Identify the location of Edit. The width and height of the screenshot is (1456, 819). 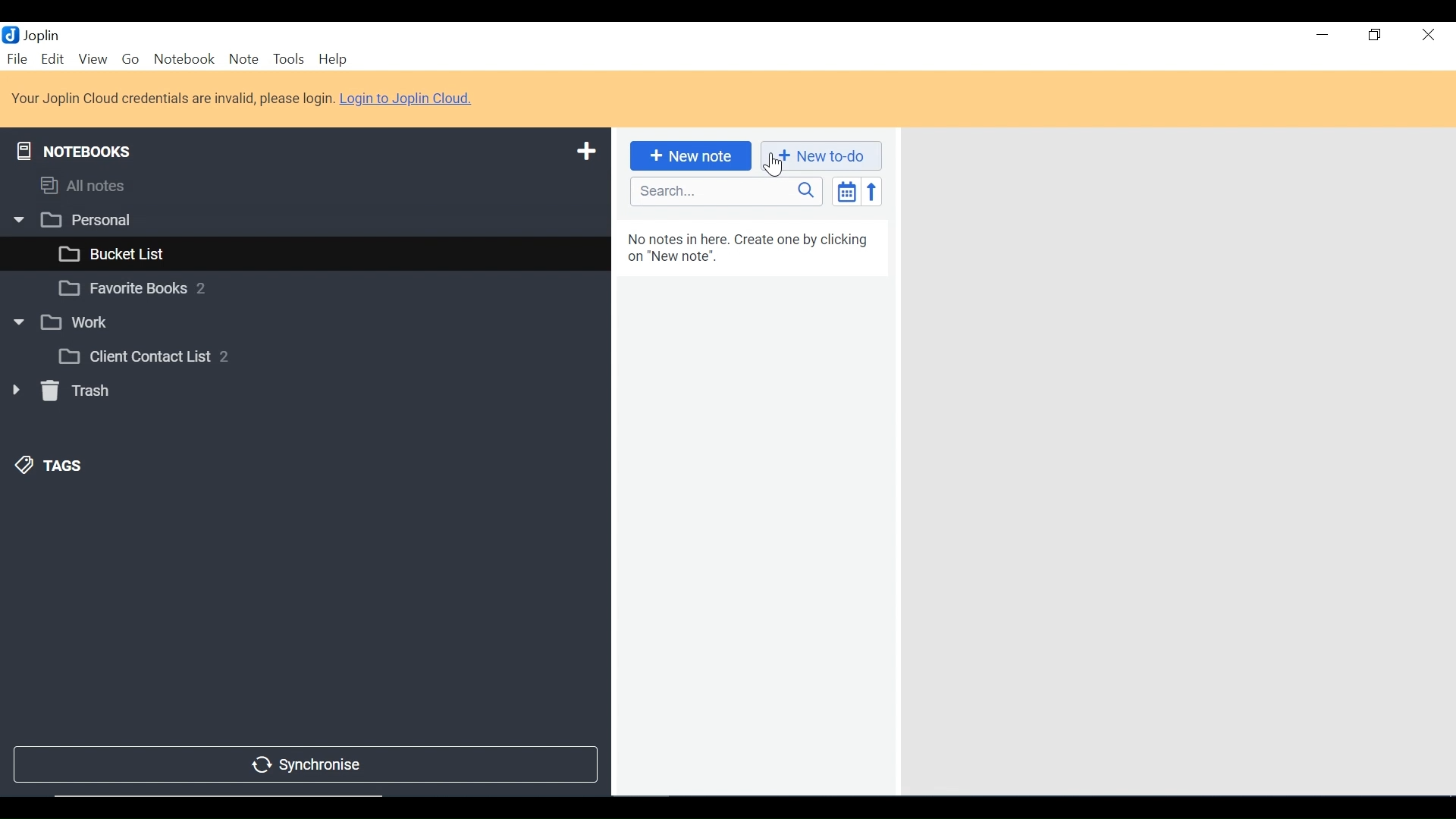
(53, 60).